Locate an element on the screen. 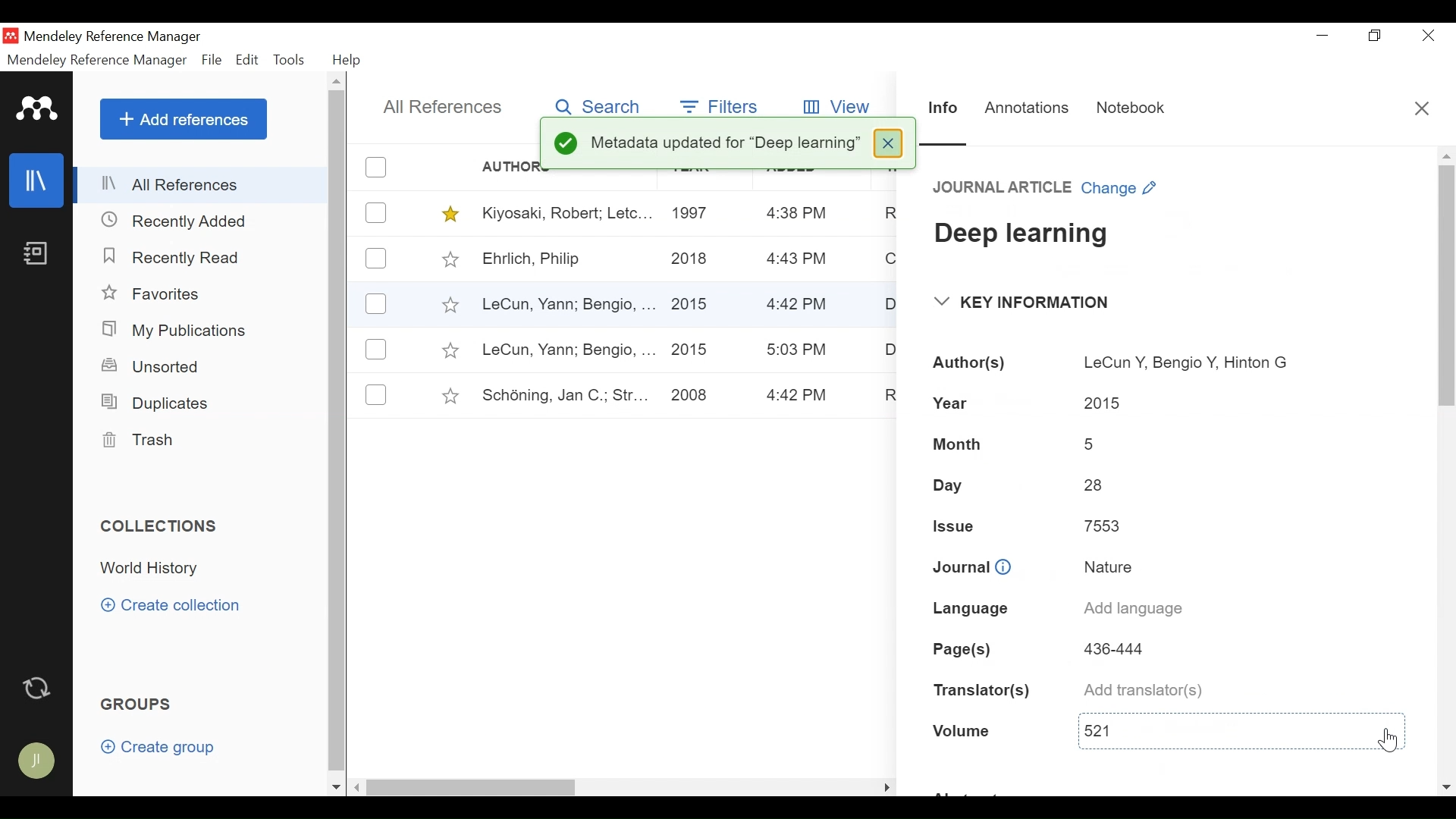  Up is located at coordinates (1446, 156).